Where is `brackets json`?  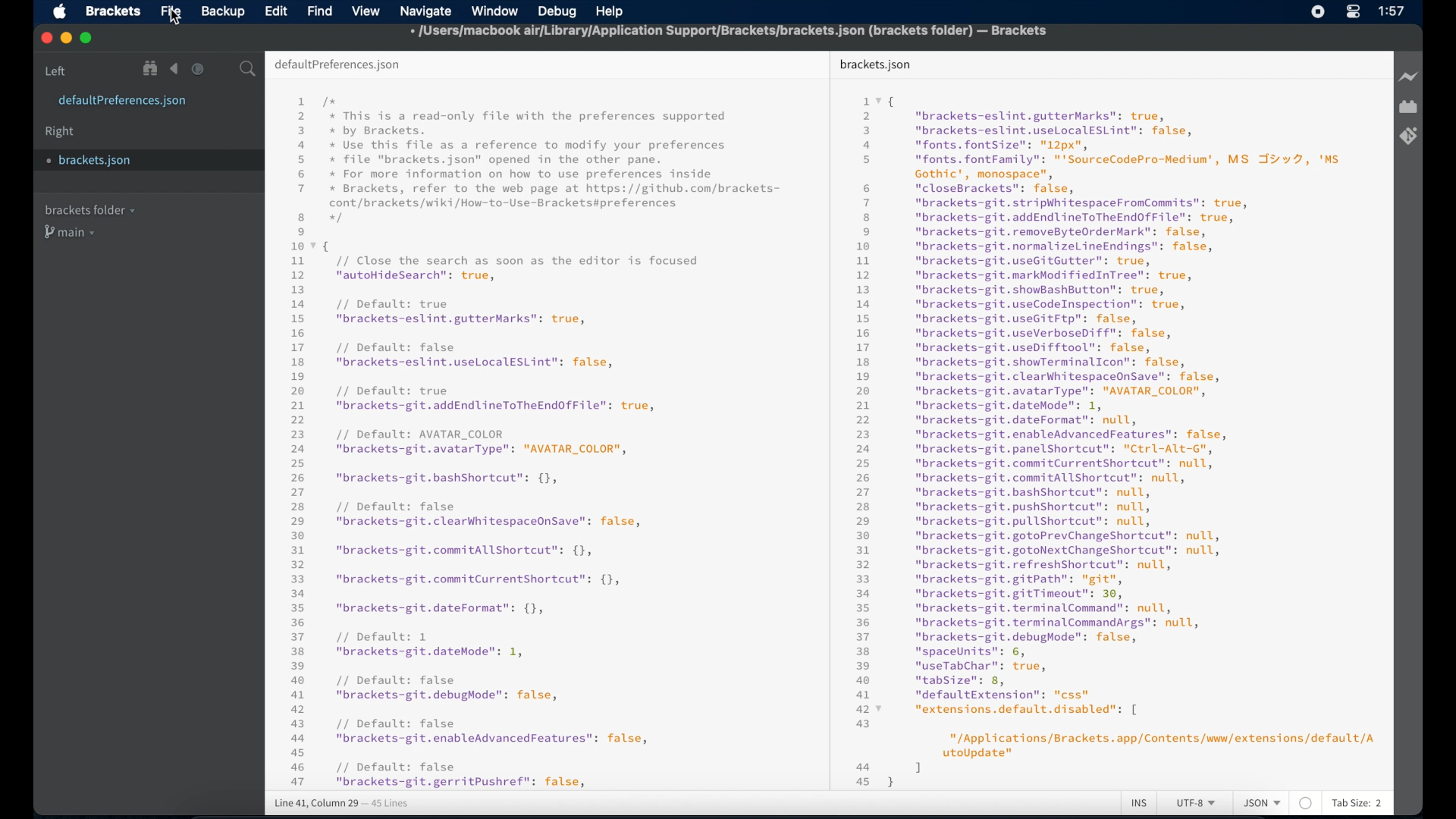 brackets json is located at coordinates (875, 64).